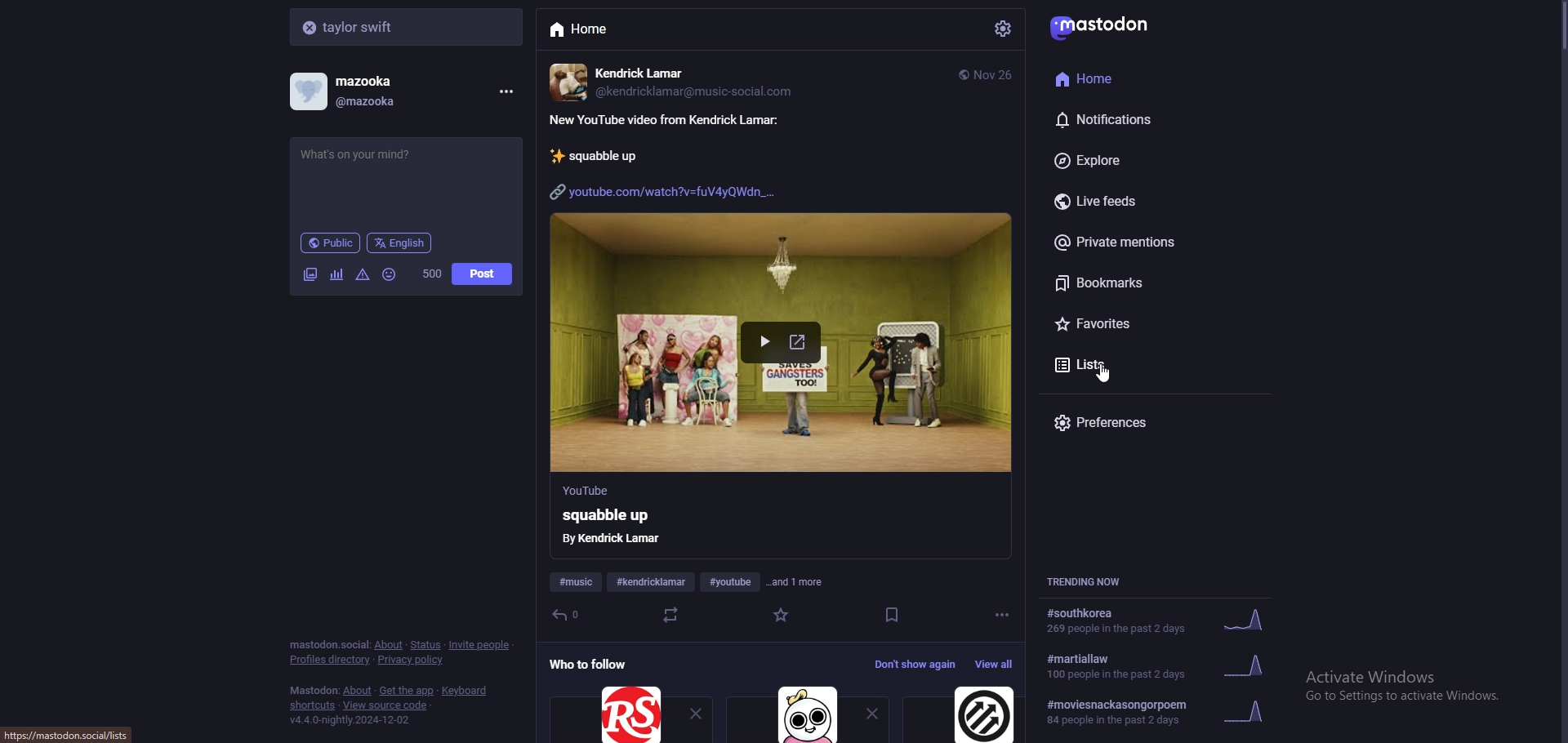  Describe the element at coordinates (466, 691) in the screenshot. I see `keyboard` at that location.